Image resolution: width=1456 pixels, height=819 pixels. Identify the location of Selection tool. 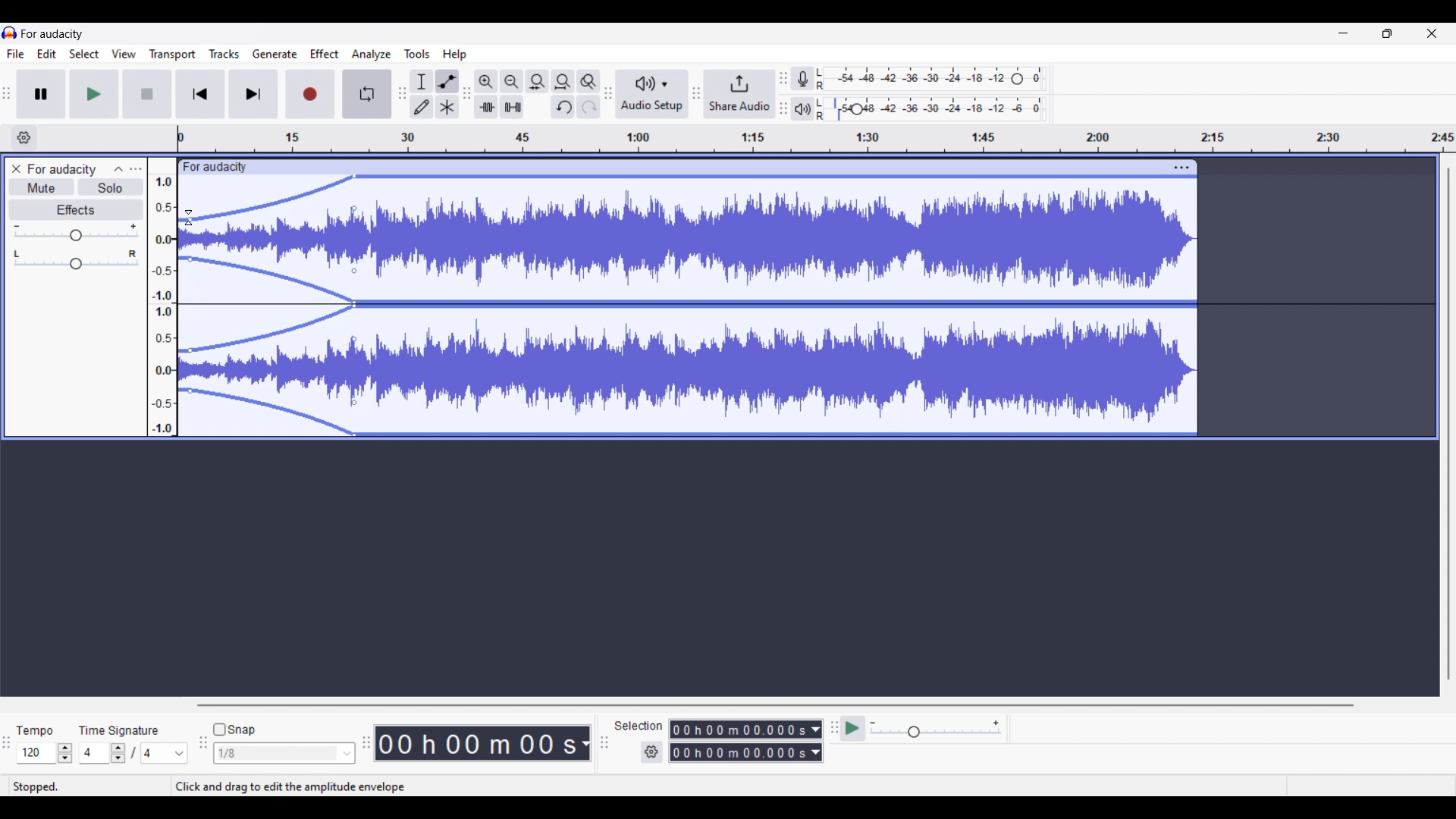
(422, 82).